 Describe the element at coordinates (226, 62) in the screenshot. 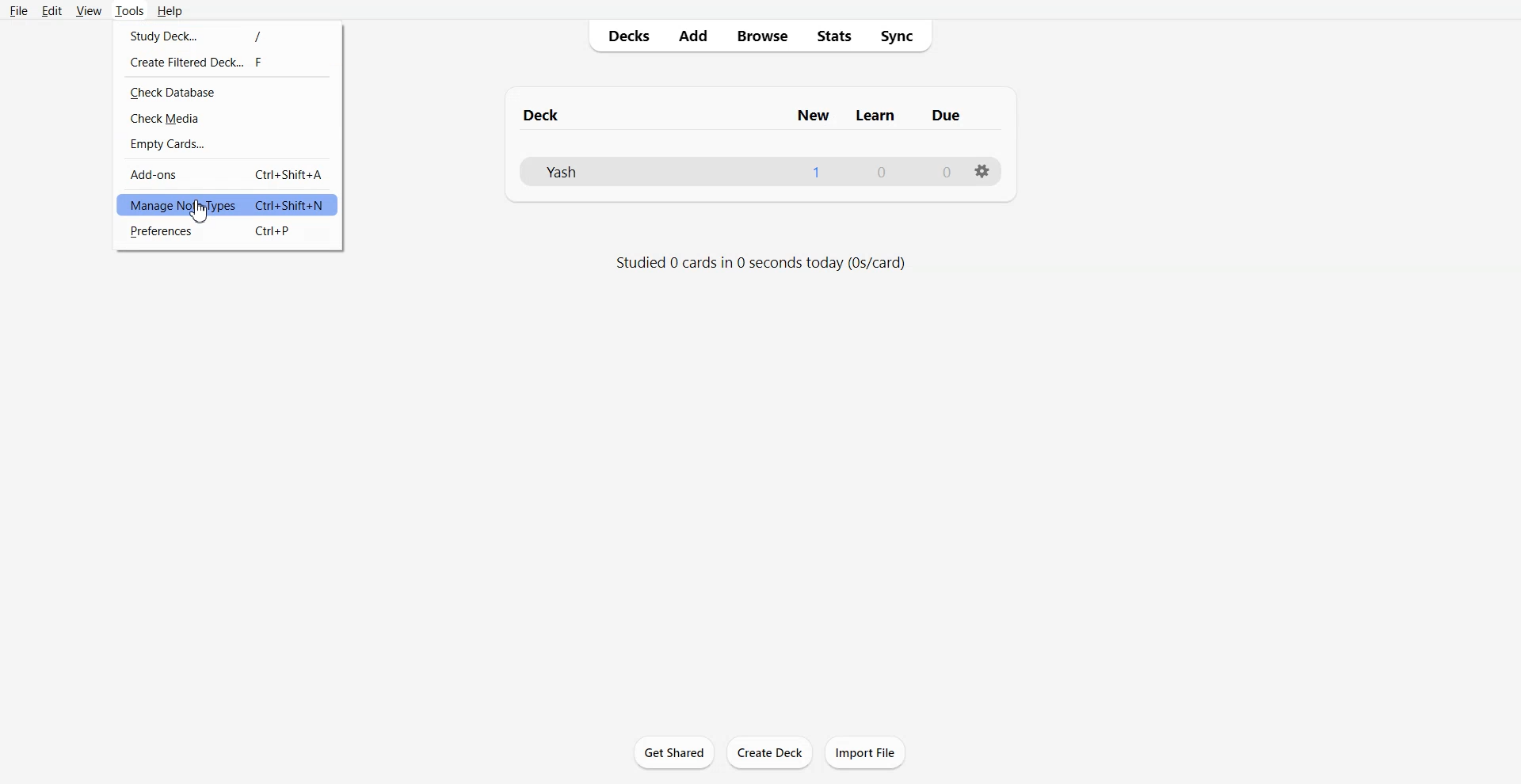

I see `Create Filtered Deck` at that location.